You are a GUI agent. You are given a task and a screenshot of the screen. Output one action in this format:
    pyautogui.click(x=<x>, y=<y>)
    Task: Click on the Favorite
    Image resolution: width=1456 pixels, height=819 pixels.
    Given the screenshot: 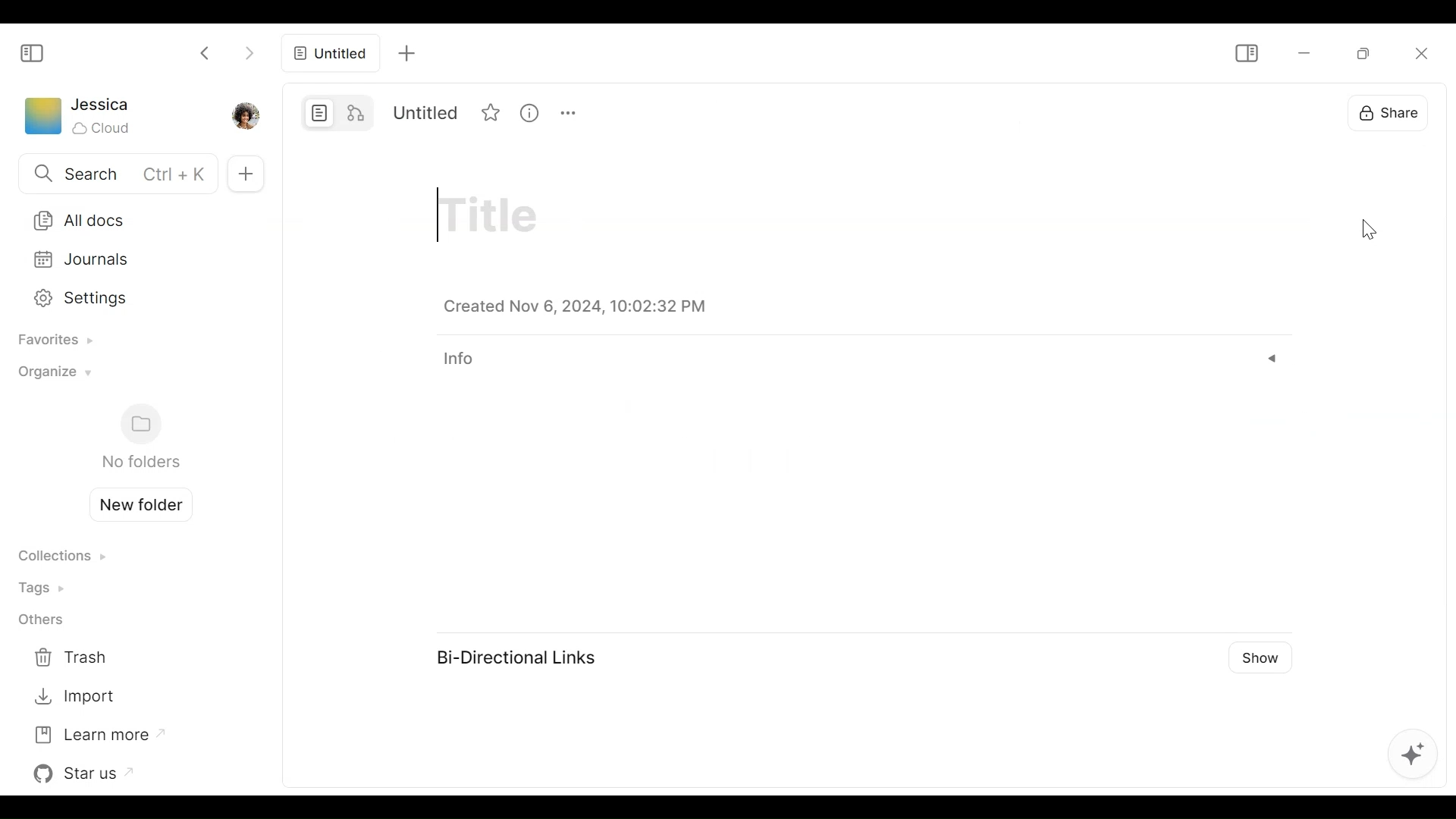 What is the action you would take?
    pyautogui.click(x=490, y=111)
    